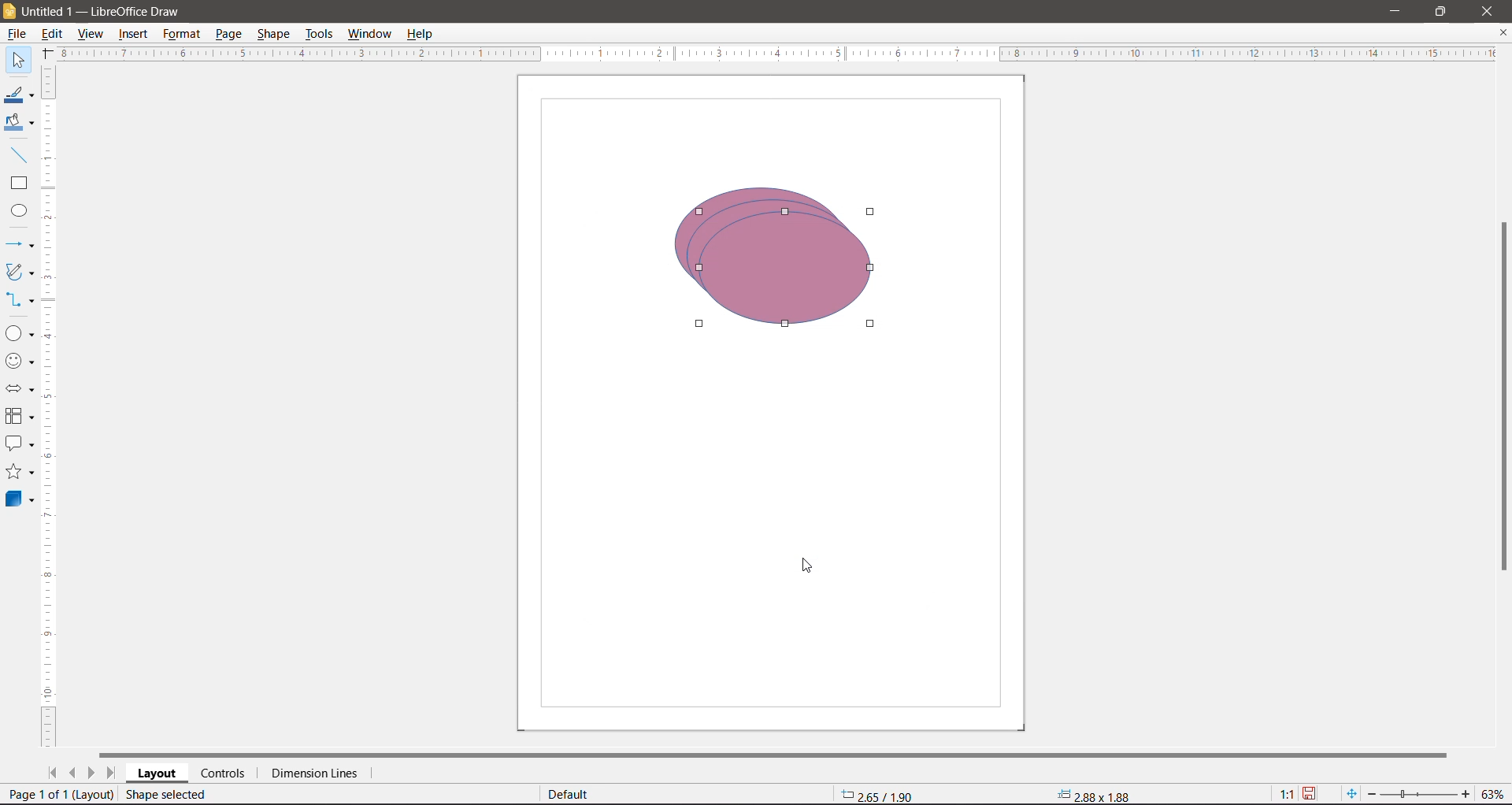  Describe the element at coordinates (20, 389) in the screenshot. I see `Block Arrows` at that location.